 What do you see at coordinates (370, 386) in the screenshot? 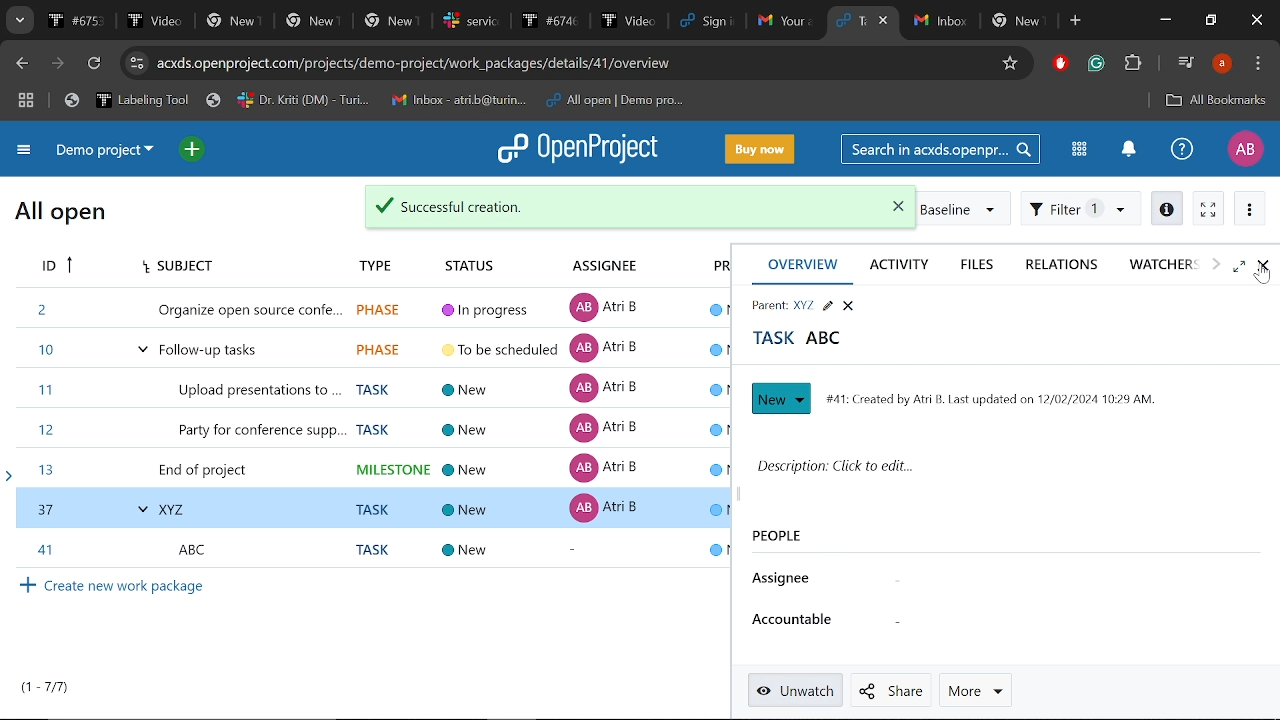
I see `Existing tasks` at bounding box center [370, 386].